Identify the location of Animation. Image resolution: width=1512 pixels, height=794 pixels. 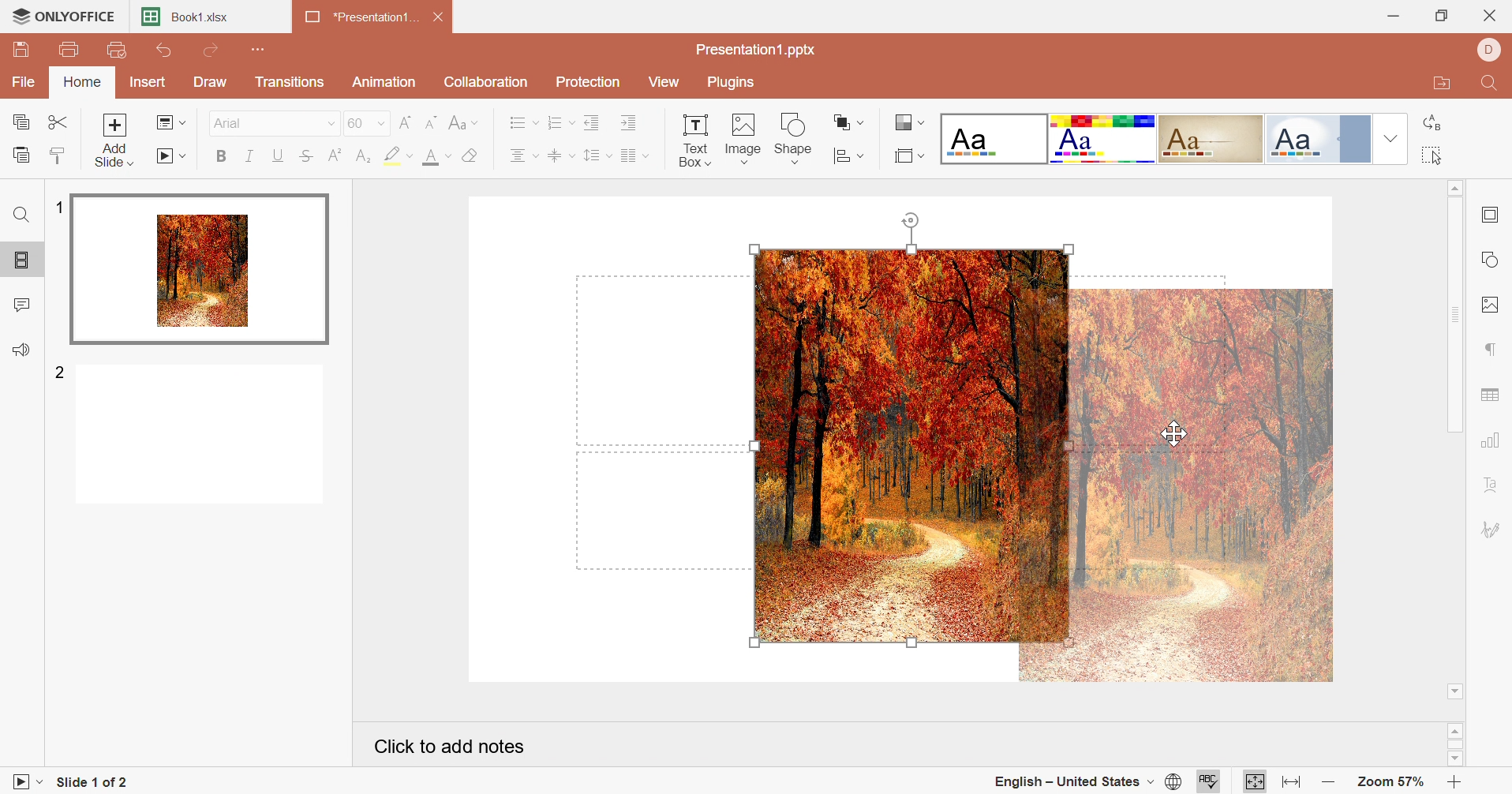
(387, 82).